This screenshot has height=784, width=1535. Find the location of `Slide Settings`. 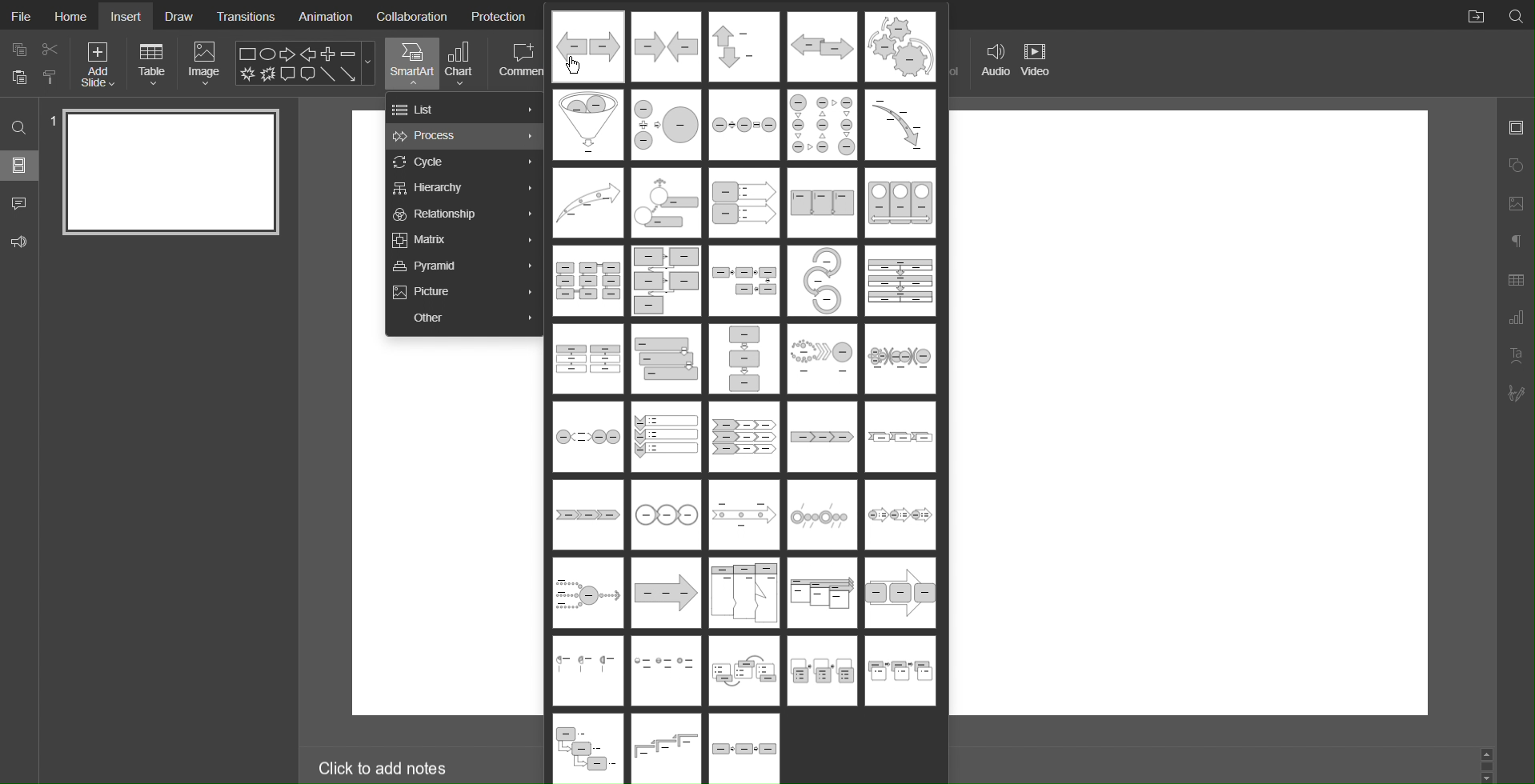

Slide Settings is located at coordinates (1517, 128).